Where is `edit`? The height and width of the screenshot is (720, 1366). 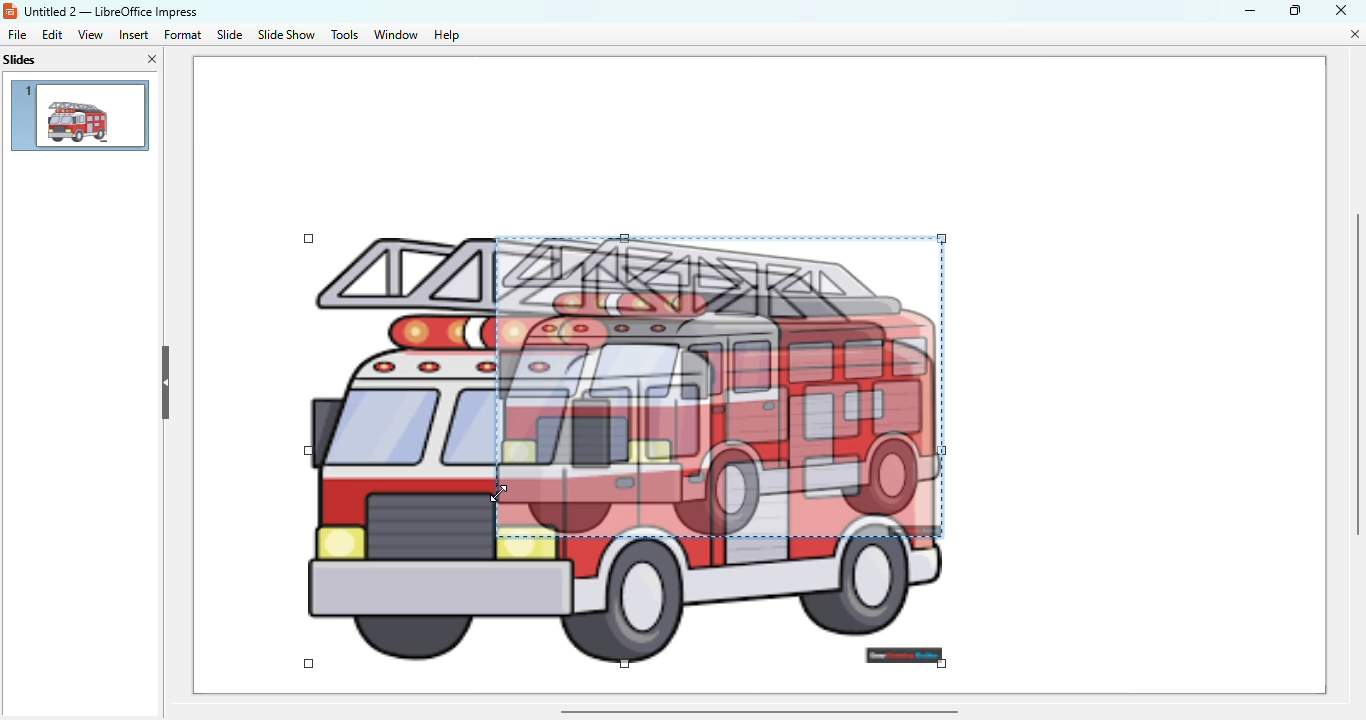
edit is located at coordinates (52, 35).